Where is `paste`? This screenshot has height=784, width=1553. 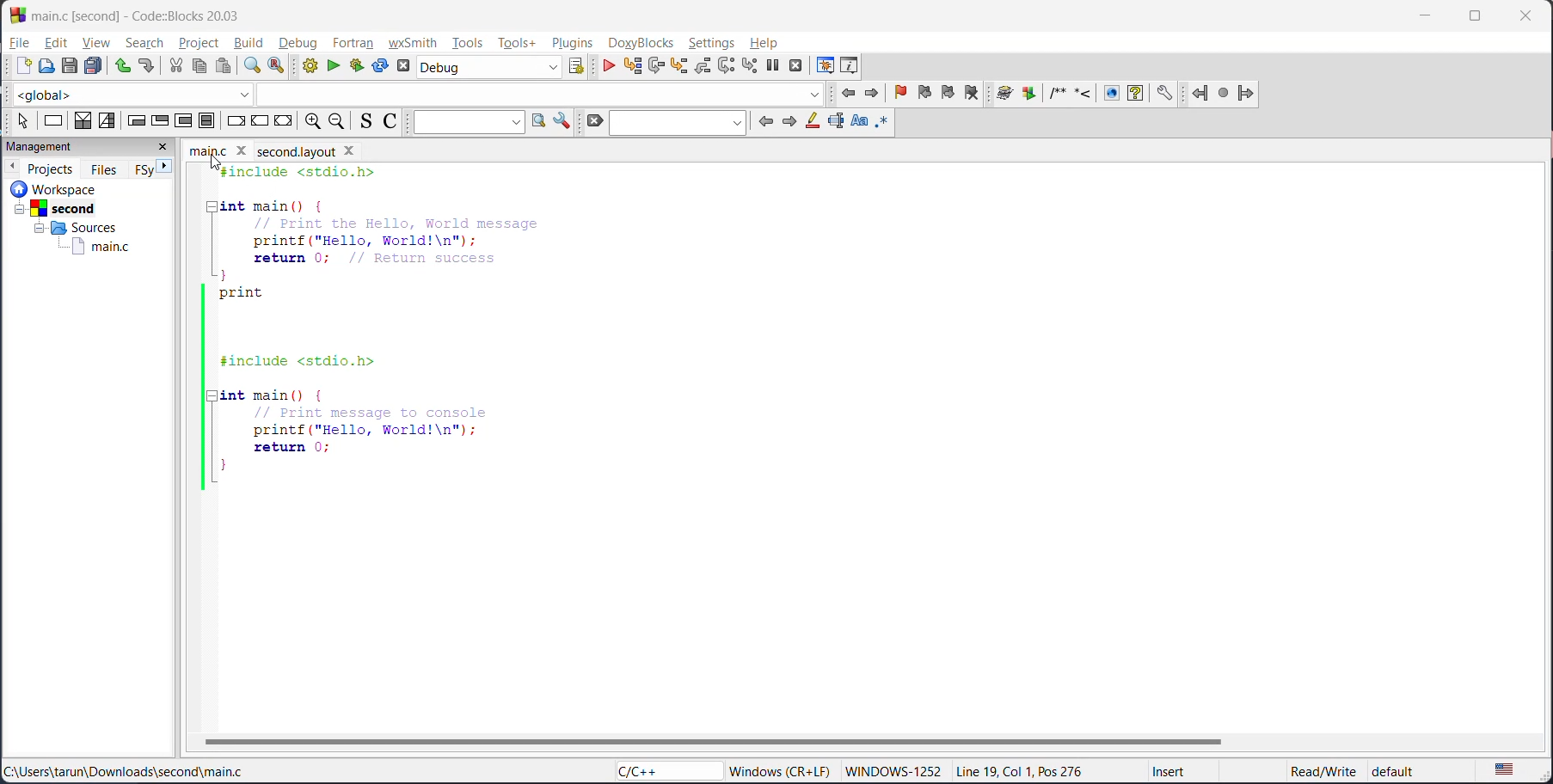 paste is located at coordinates (224, 67).